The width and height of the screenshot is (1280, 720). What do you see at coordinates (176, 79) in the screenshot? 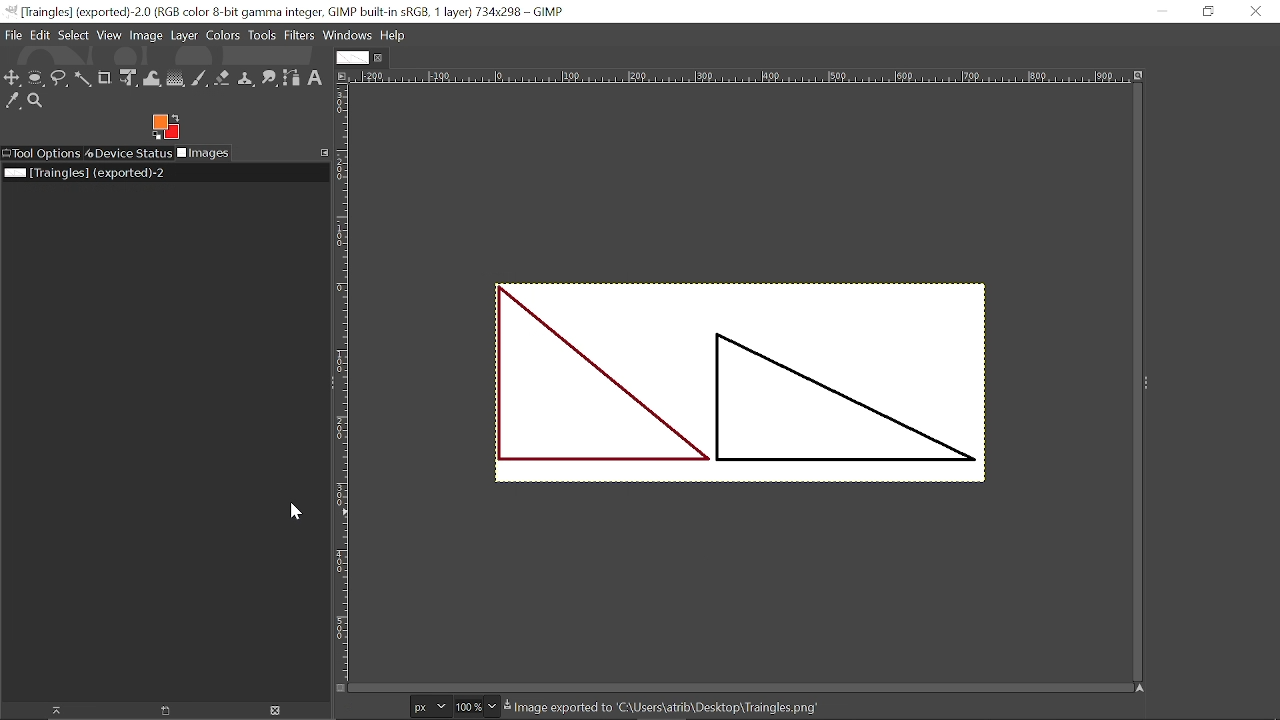
I see `Gradient tool` at bounding box center [176, 79].